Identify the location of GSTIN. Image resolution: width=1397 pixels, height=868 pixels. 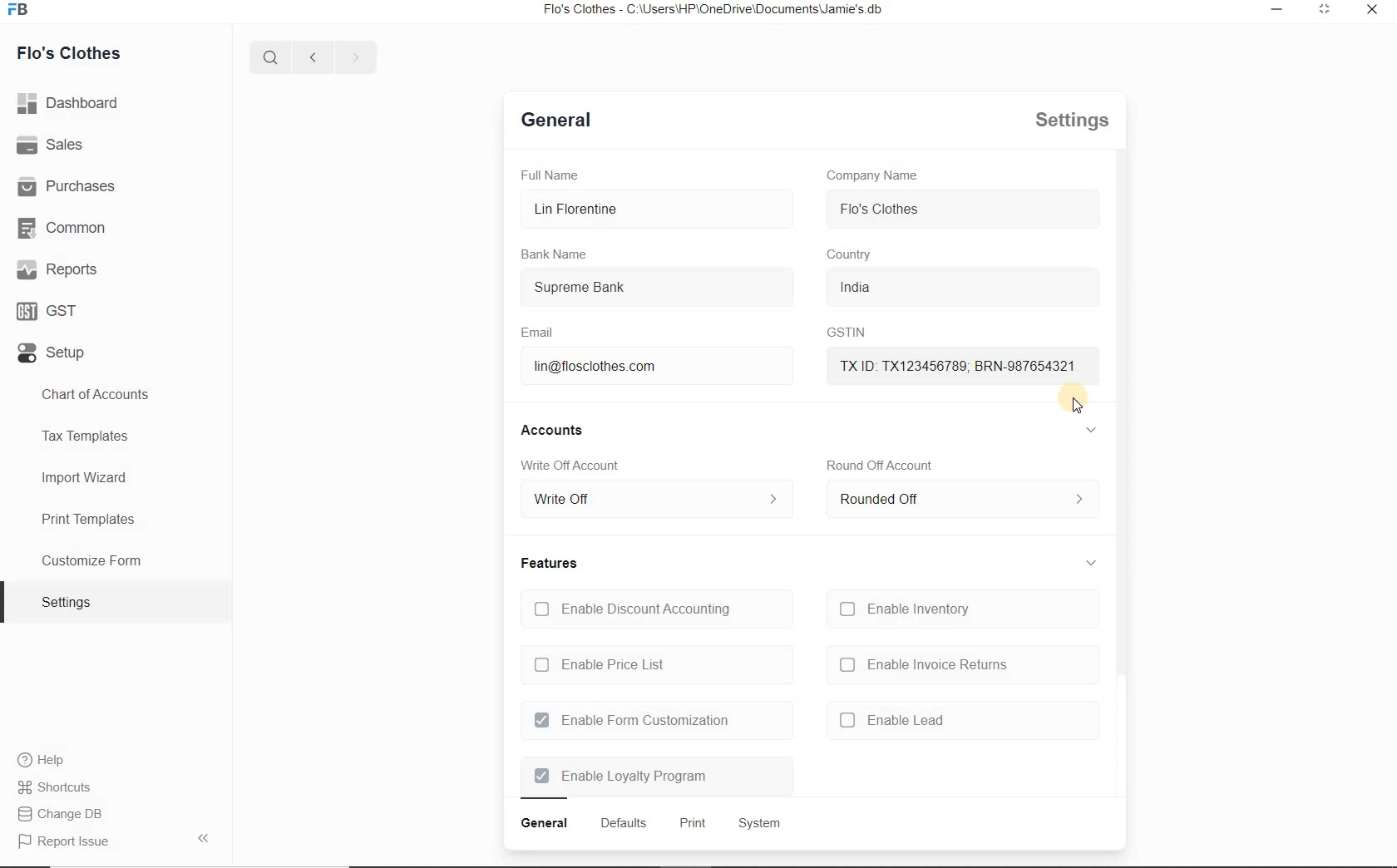
(841, 333).